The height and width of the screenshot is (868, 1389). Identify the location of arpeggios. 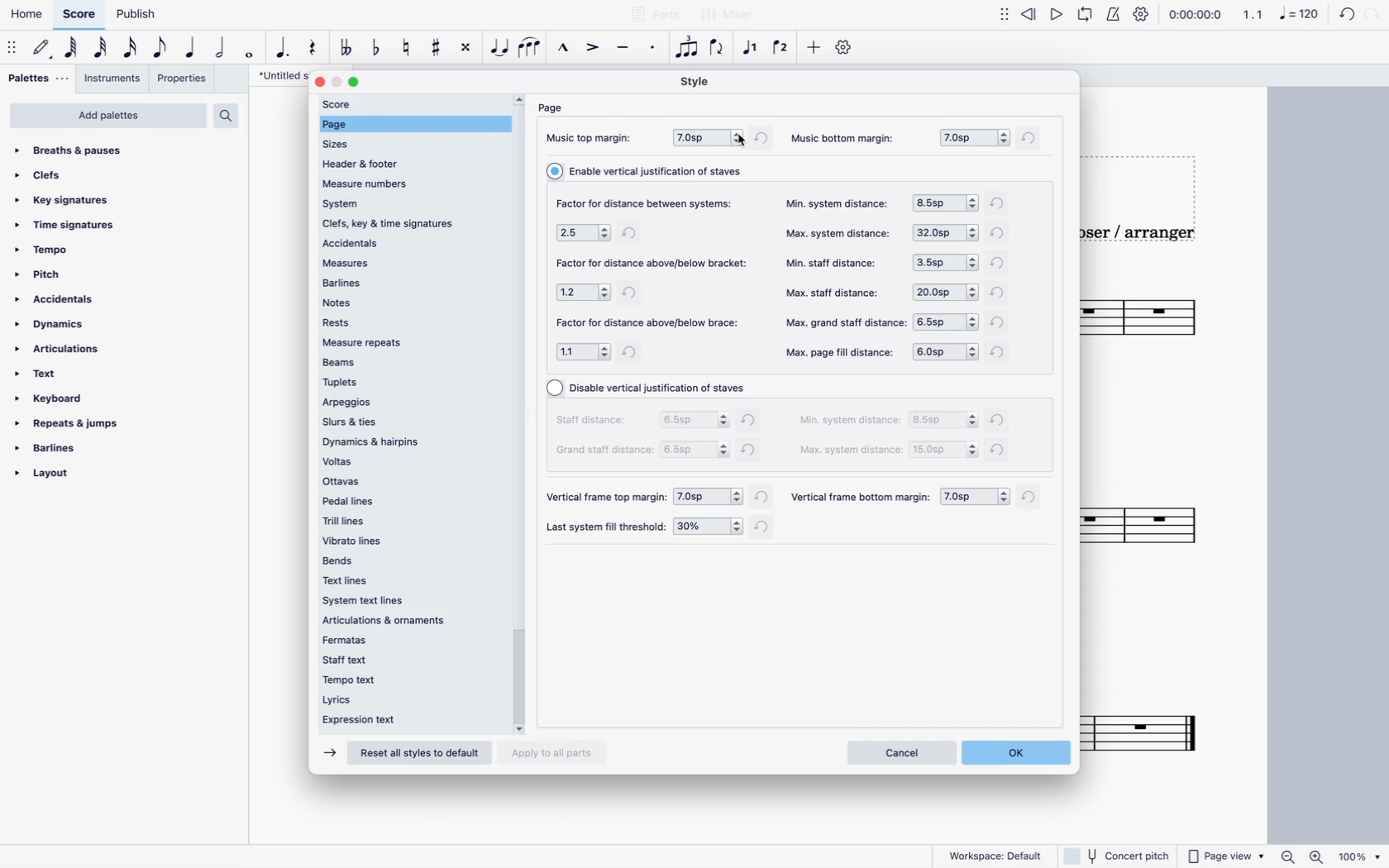
(408, 403).